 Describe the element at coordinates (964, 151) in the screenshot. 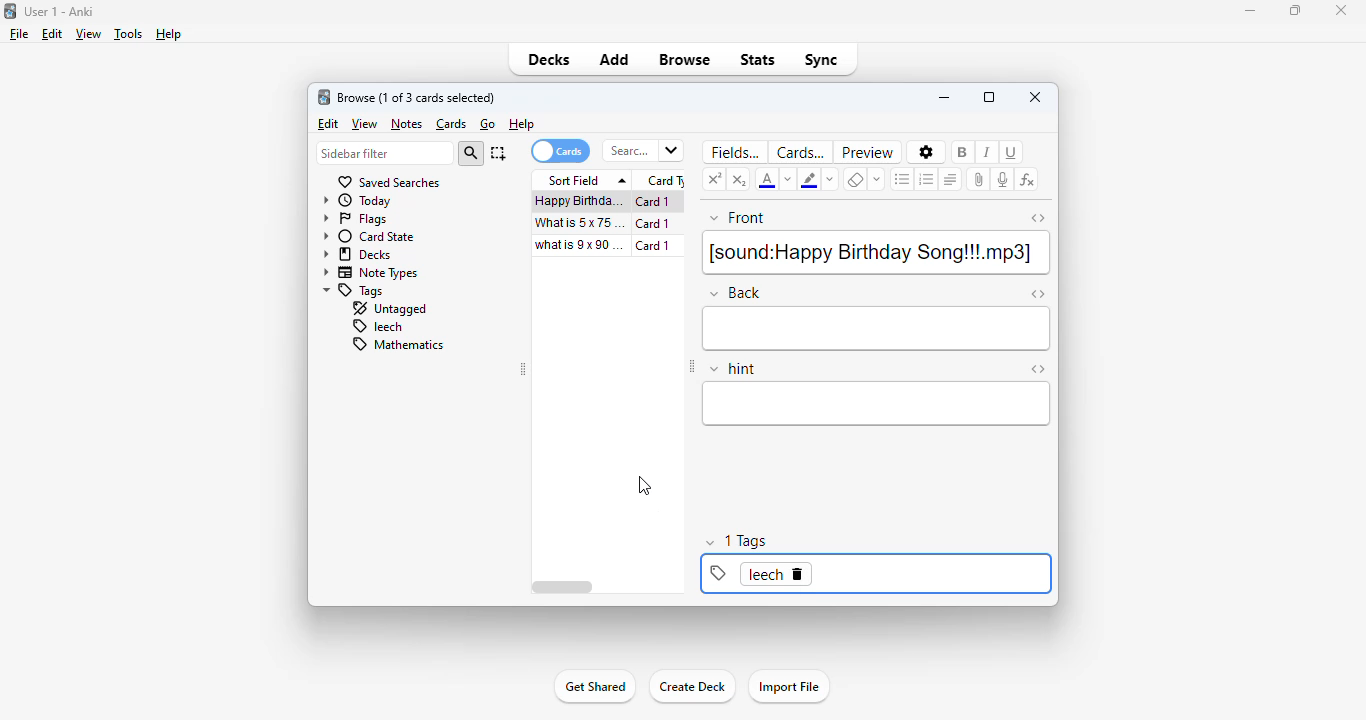

I see `bols` at that location.